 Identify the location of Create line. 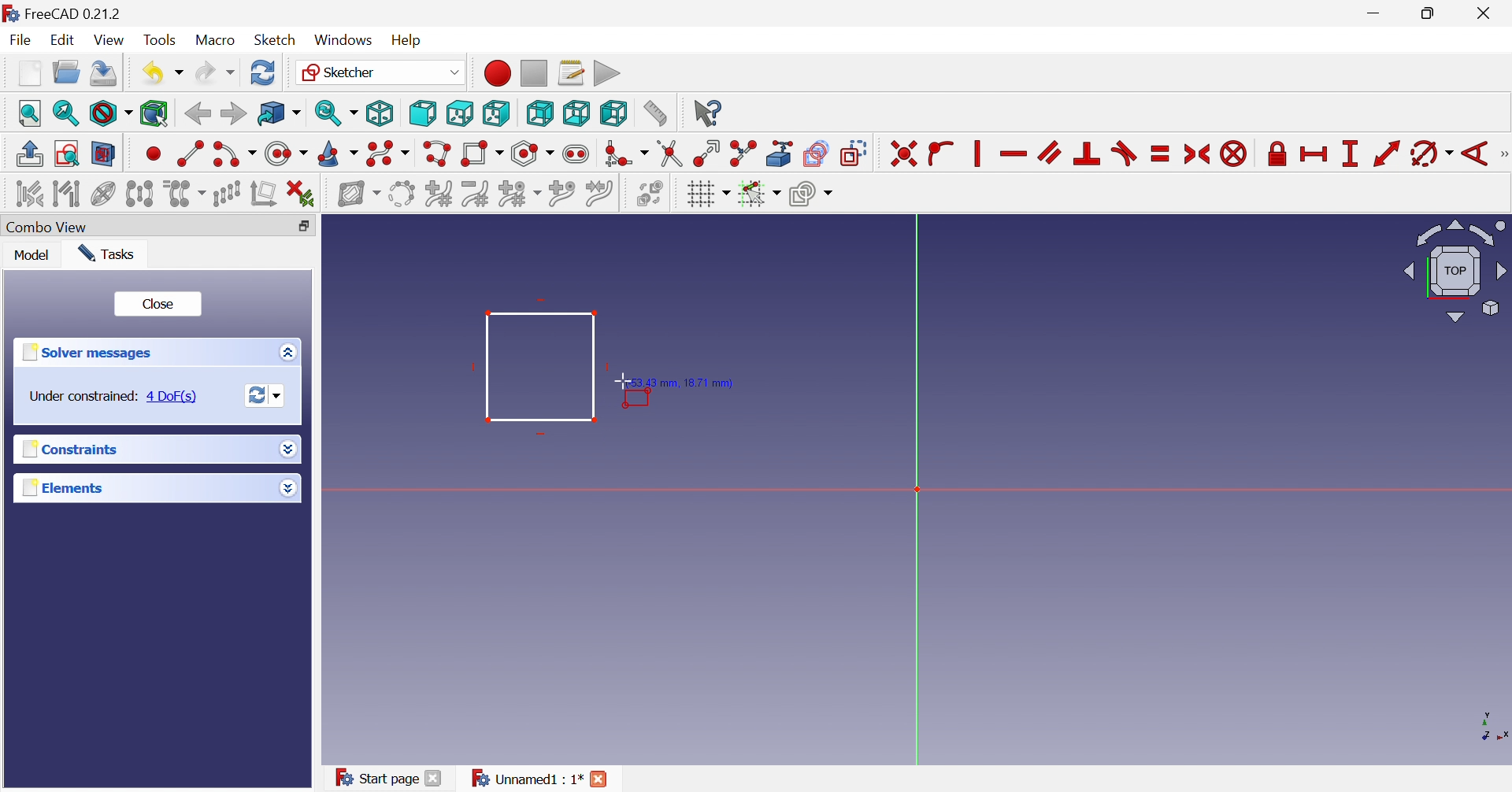
(190, 152).